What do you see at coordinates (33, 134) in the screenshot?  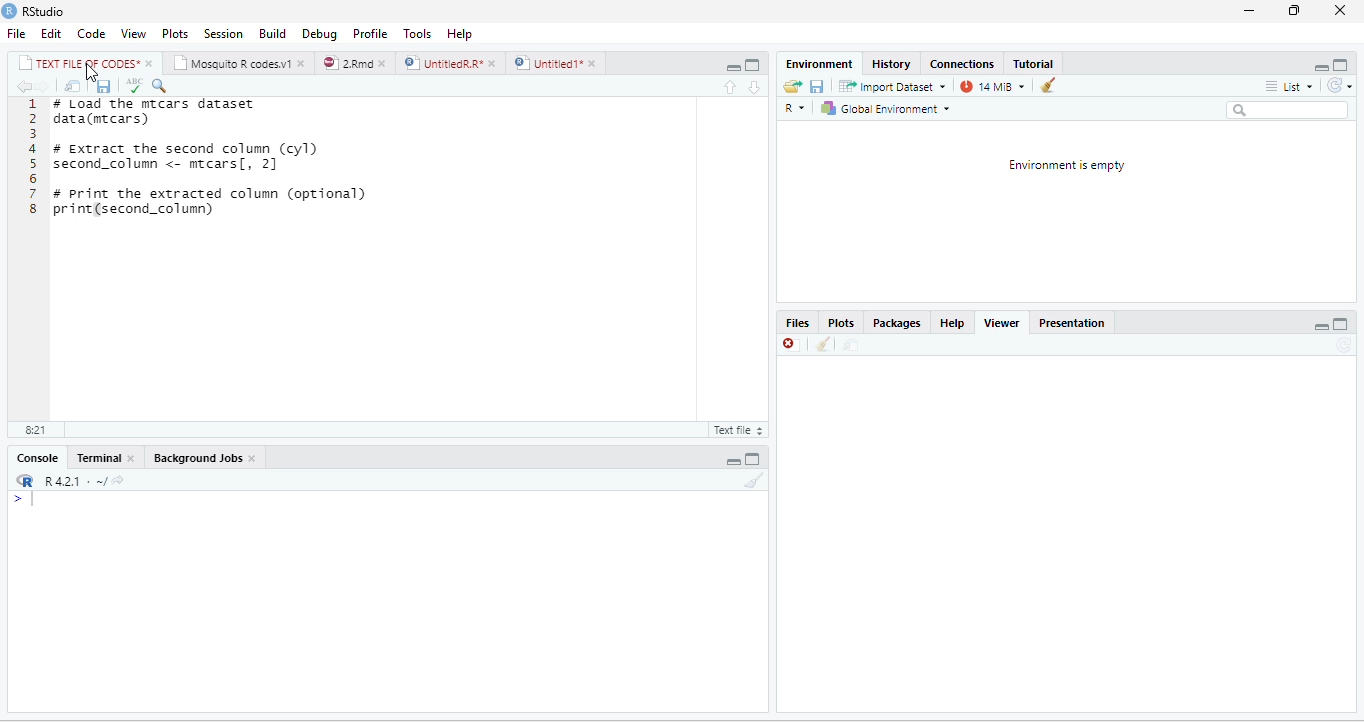 I see `3` at bounding box center [33, 134].